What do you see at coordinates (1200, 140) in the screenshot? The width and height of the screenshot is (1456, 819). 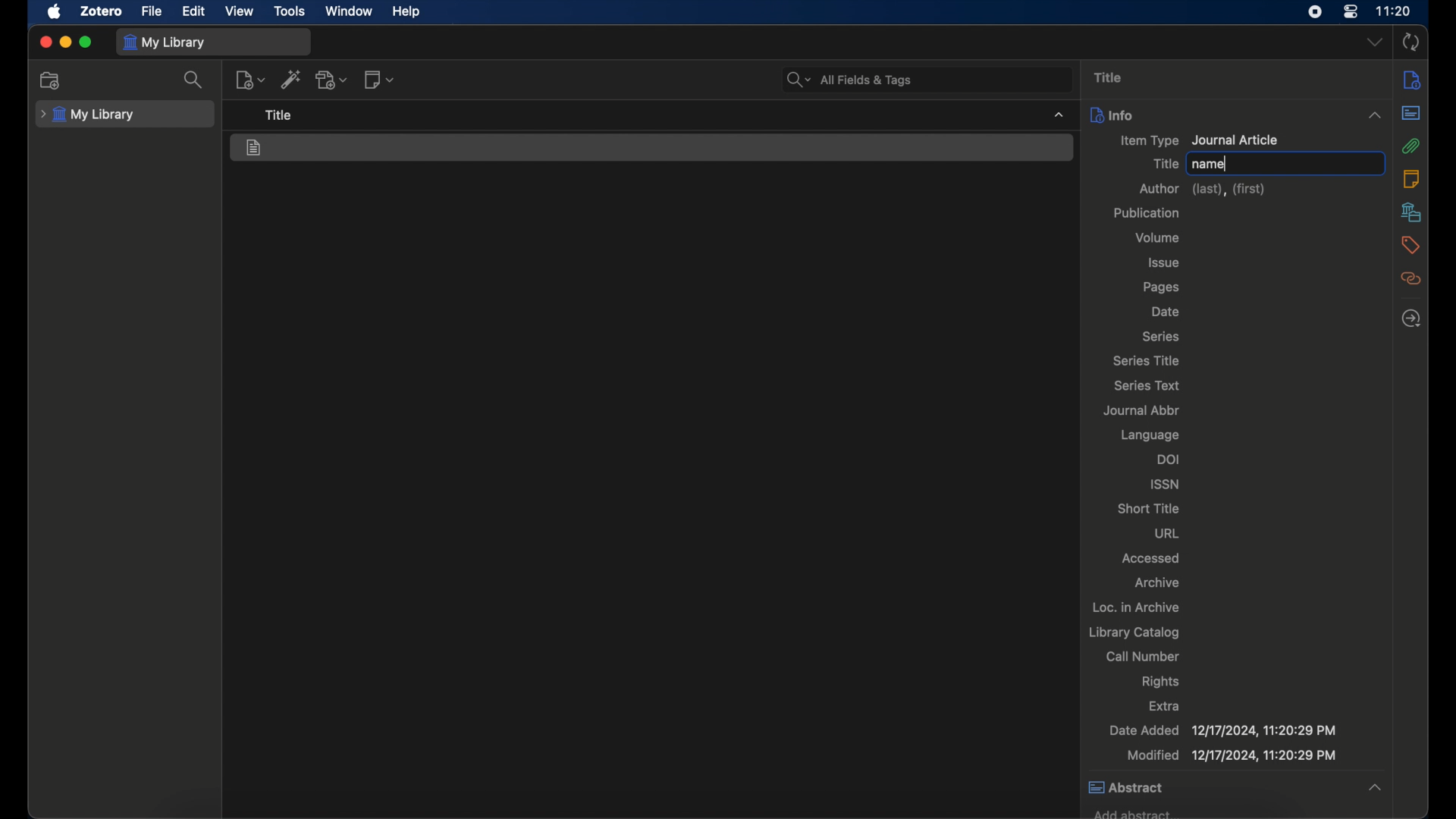 I see `item type ` at bounding box center [1200, 140].